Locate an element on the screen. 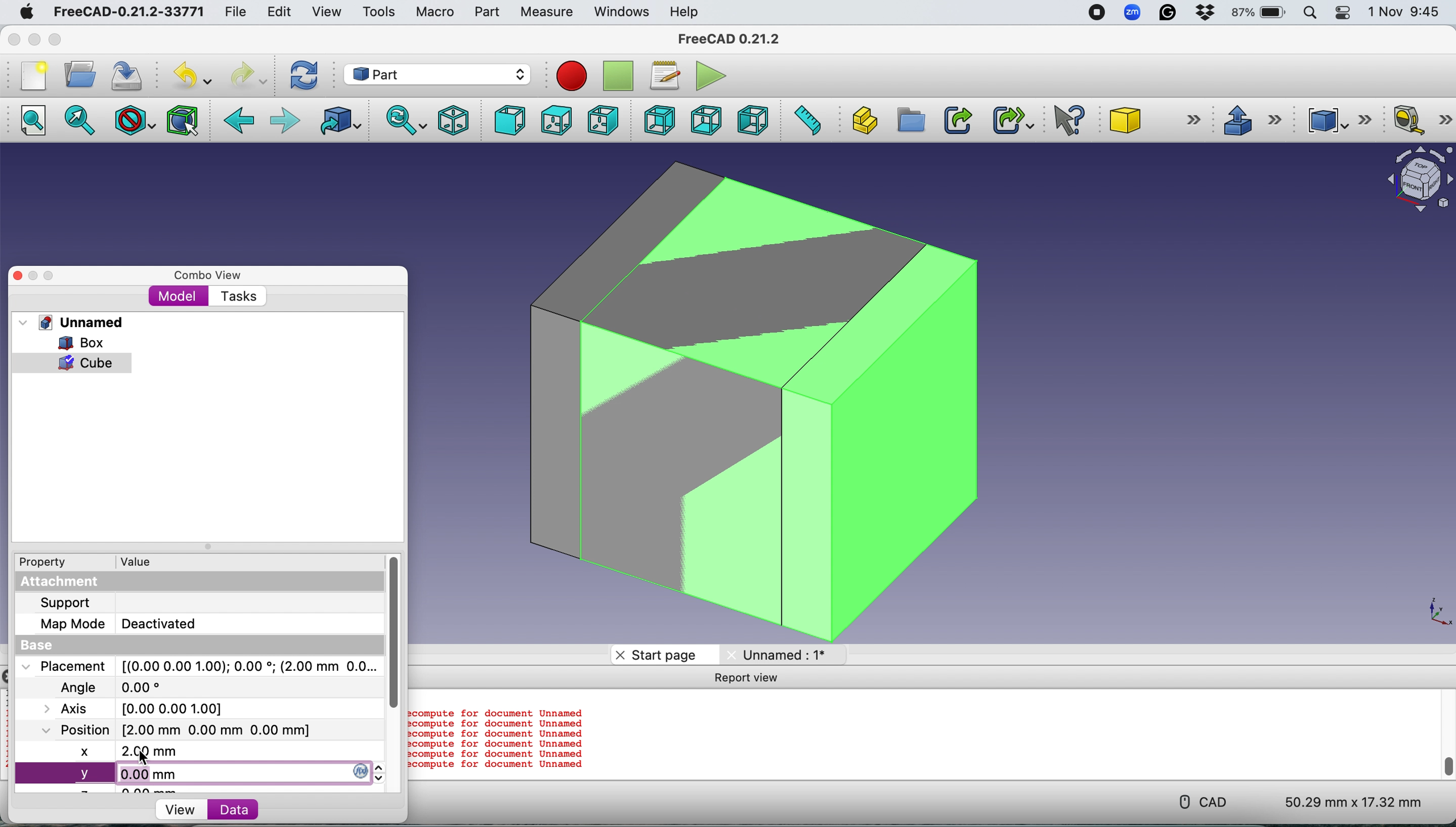 Image resolution: width=1456 pixels, height=827 pixels. Undo is located at coordinates (195, 76).